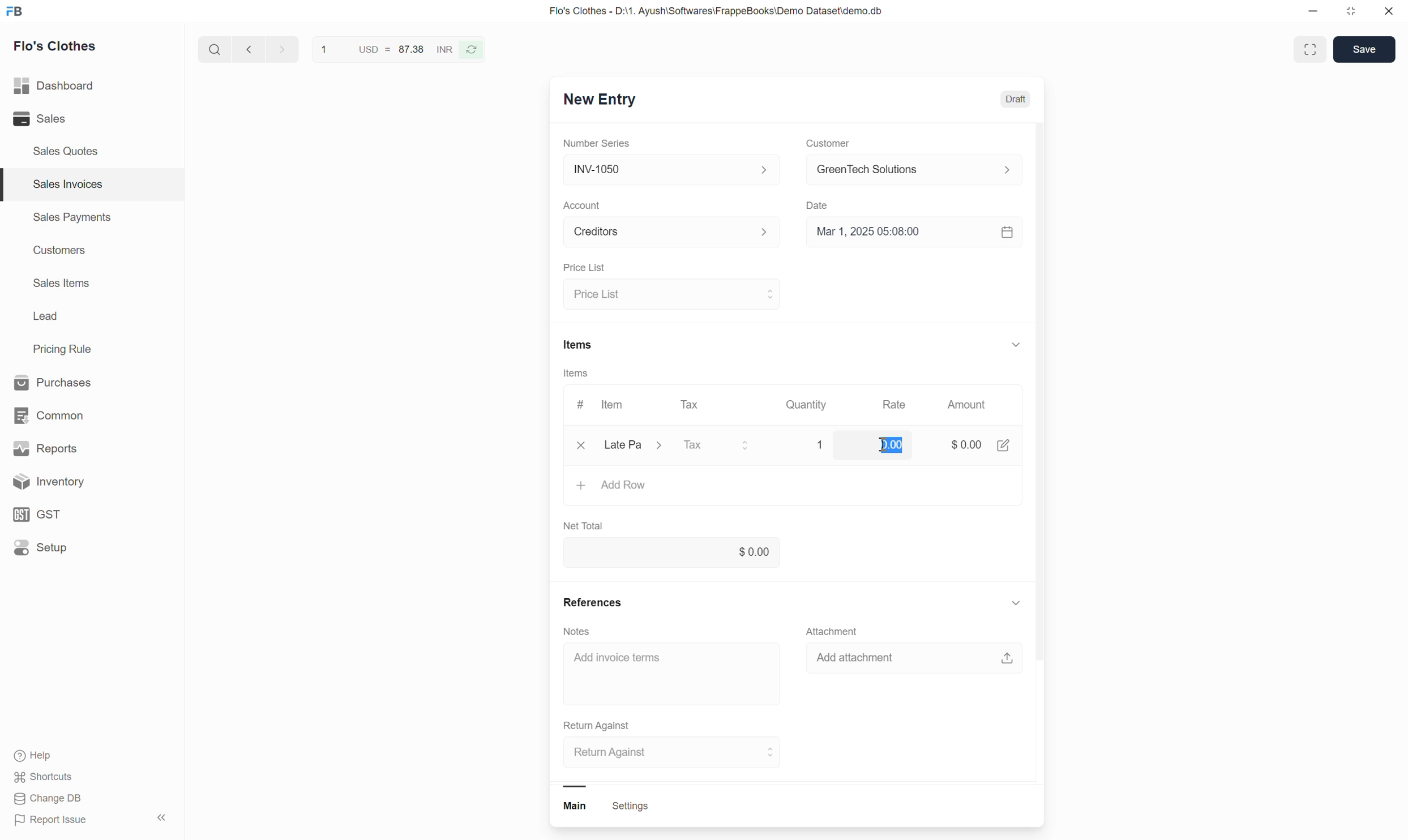 The width and height of the screenshot is (1408, 840). Describe the element at coordinates (598, 144) in the screenshot. I see `Number Series` at that location.